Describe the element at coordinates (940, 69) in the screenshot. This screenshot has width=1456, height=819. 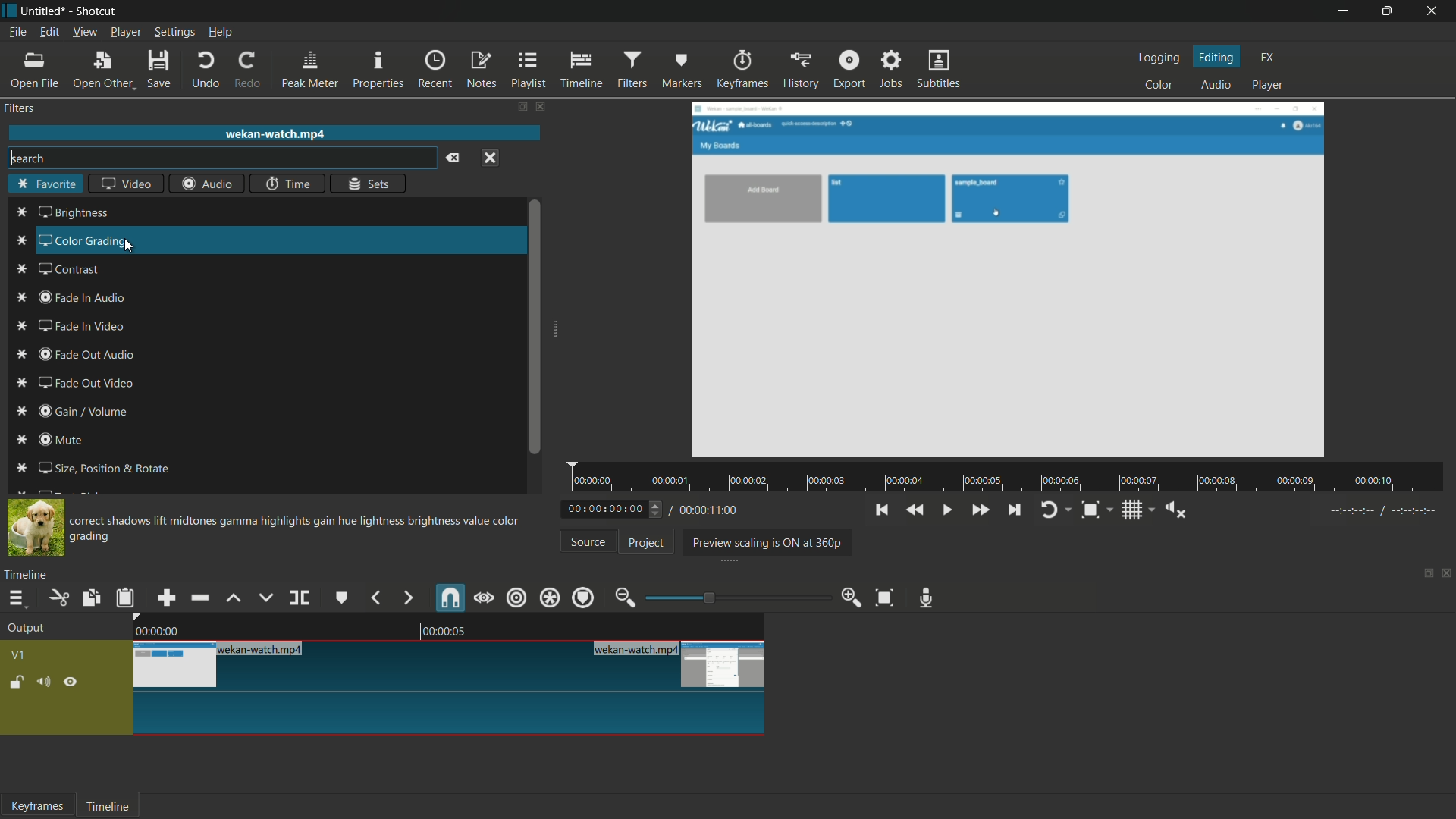
I see `subtitles` at that location.